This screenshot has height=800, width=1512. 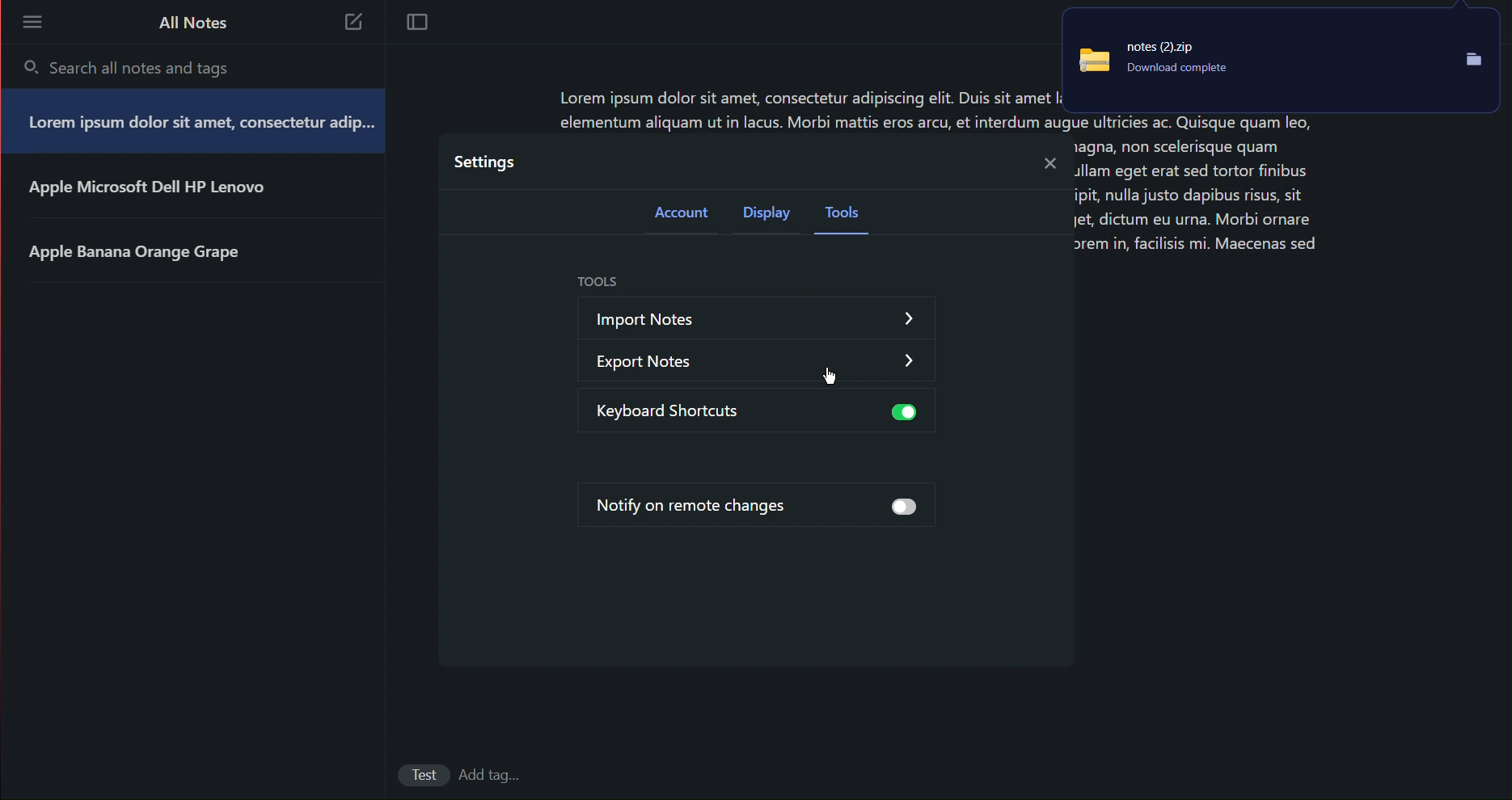 I want to click on button, so click(x=900, y=509).